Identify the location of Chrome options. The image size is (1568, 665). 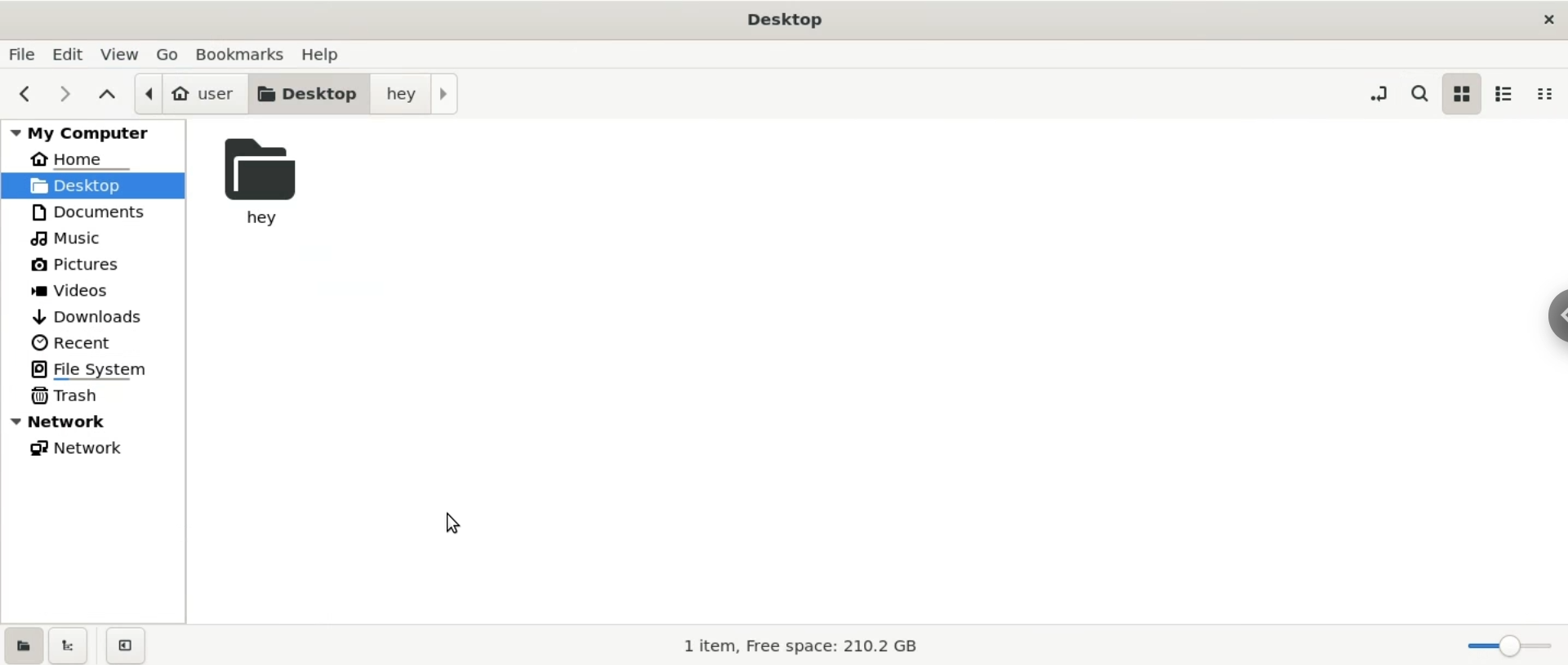
(1554, 315).